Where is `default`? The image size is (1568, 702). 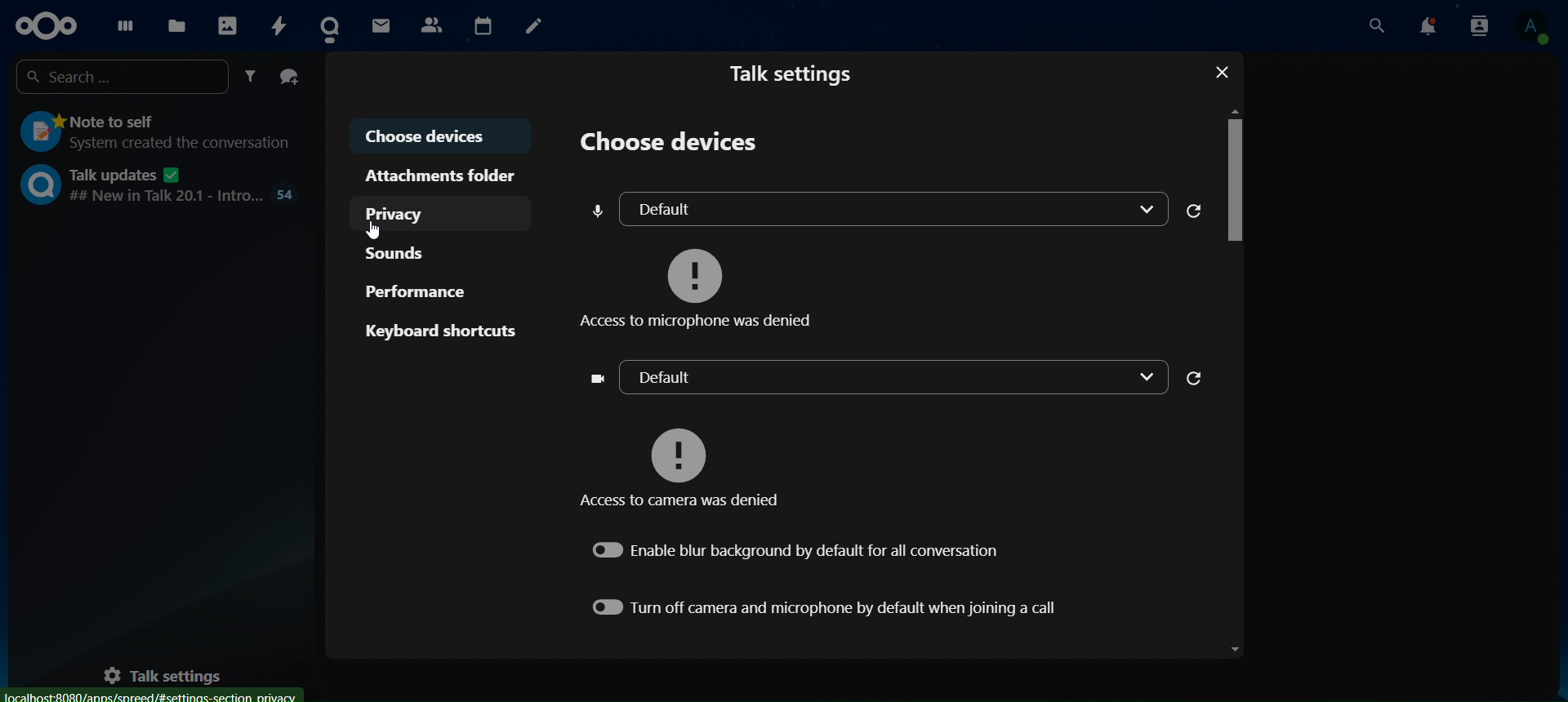
default is located at coordinates (877, 209).